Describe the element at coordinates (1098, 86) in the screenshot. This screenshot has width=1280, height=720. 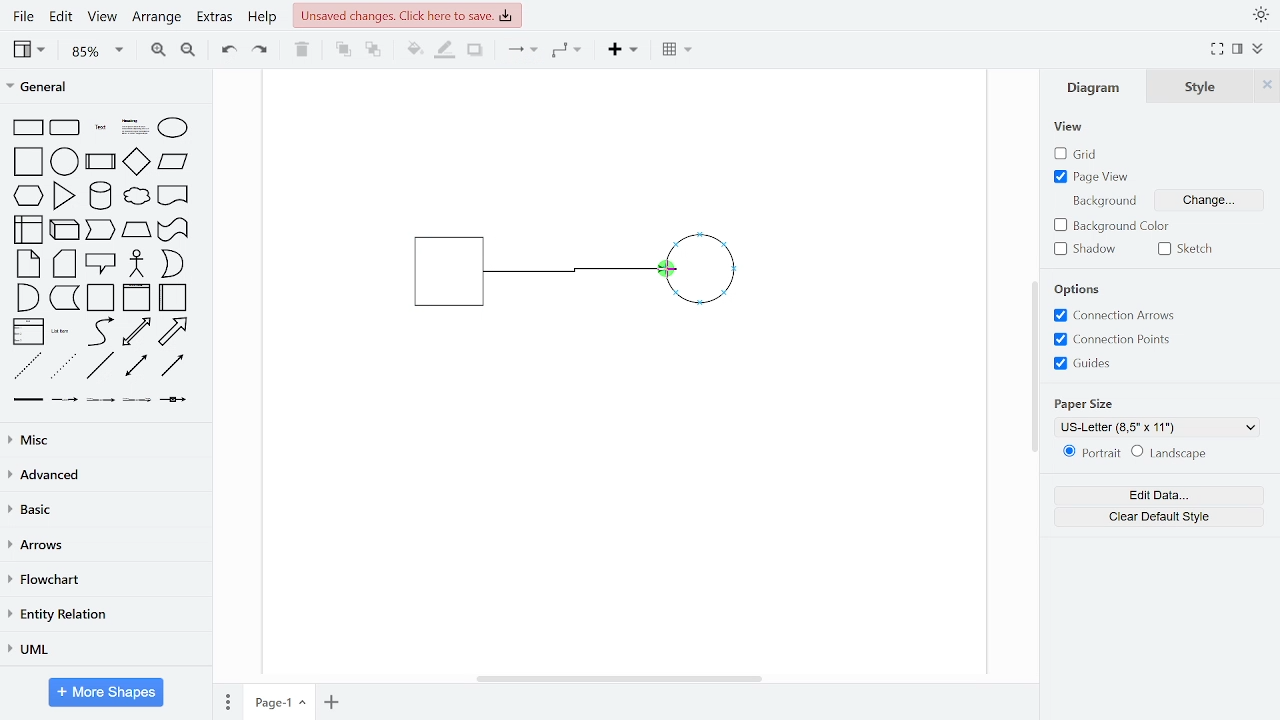
I see `diagram` at that location.